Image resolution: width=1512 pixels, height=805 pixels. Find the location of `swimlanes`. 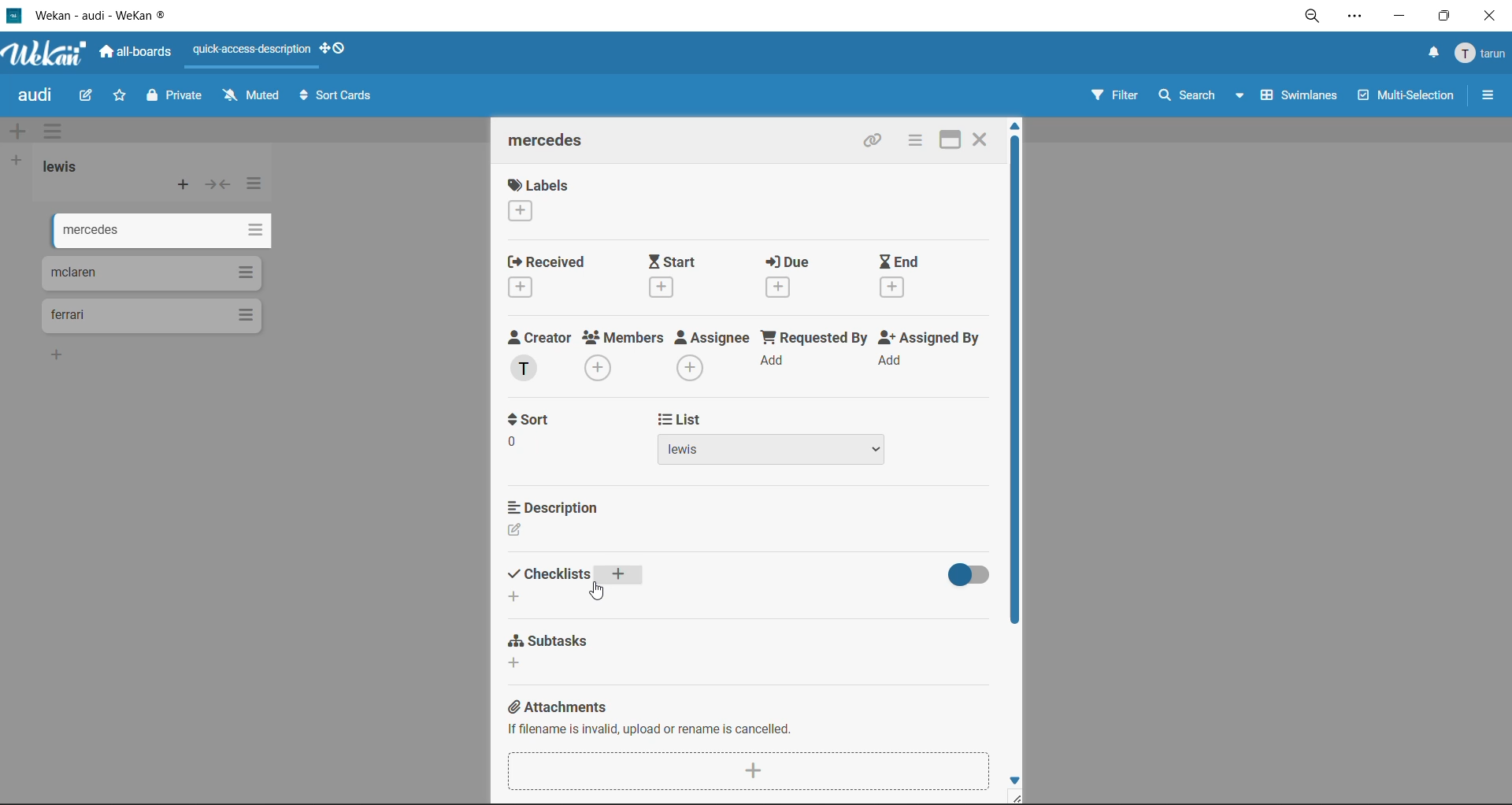

swimlanes is located at coordinates (1302, 98).